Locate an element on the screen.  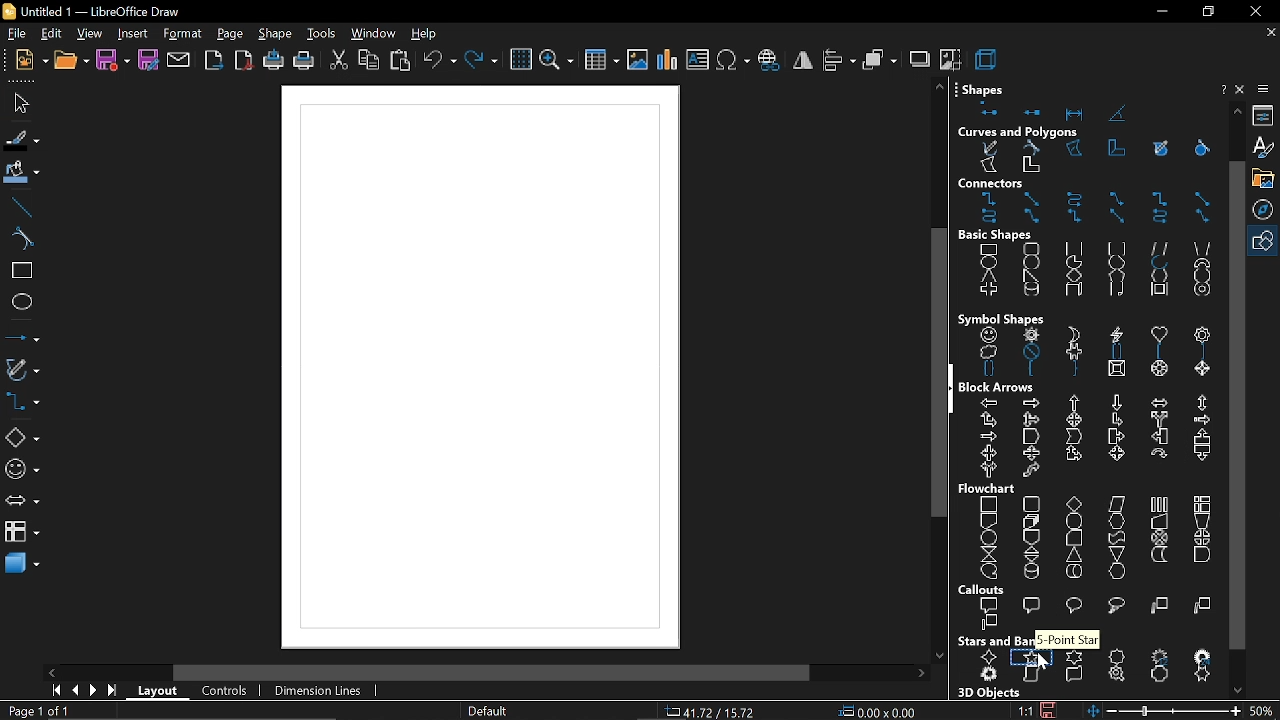
vertical scrollbar is located at coordinates (1237, 405).